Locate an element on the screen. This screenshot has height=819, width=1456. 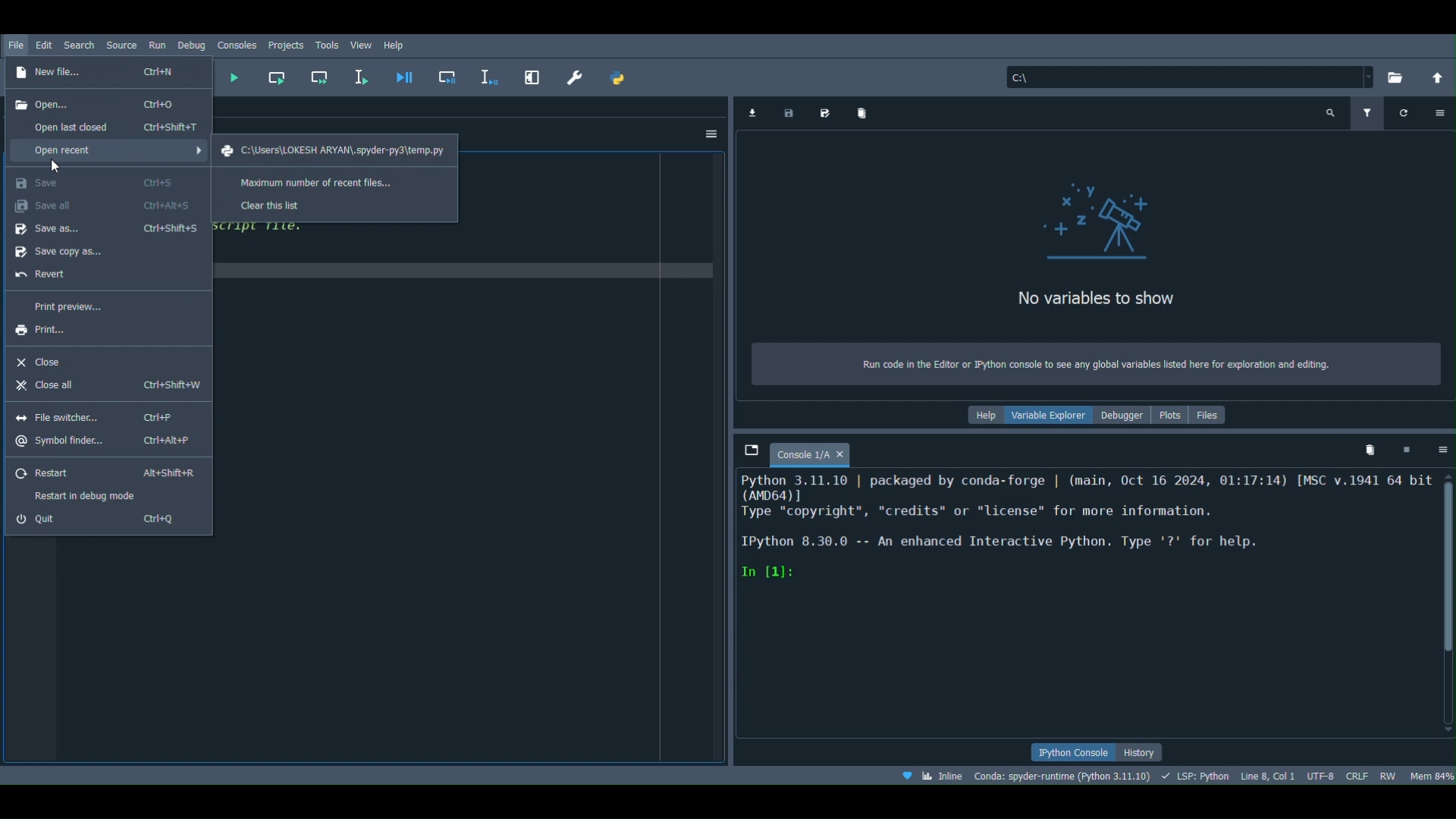
Open is located at coordinates (105, 102).